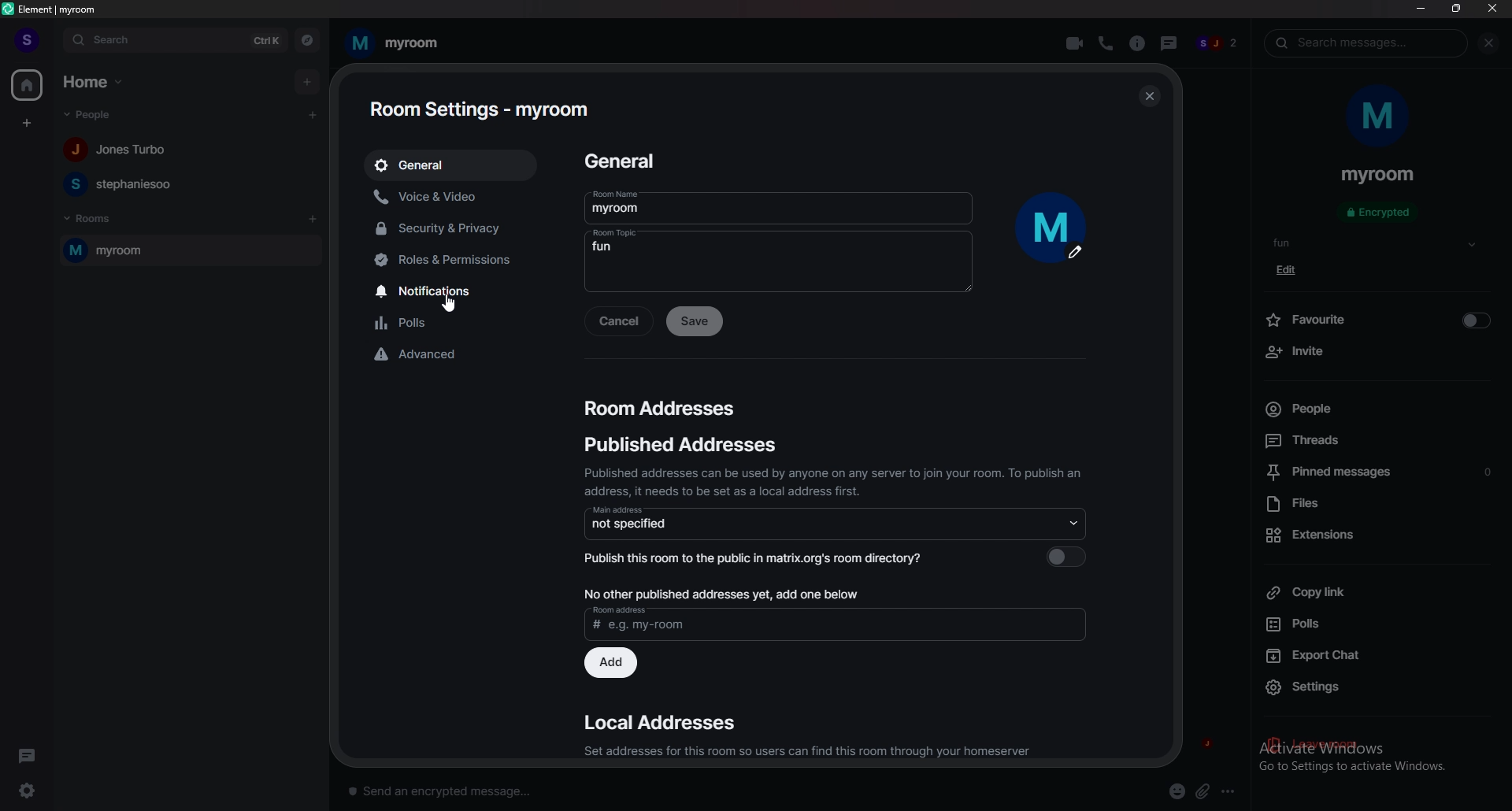 This screenshot has width=1512, height=811. I want to click on room photo, so click(1054, 228).